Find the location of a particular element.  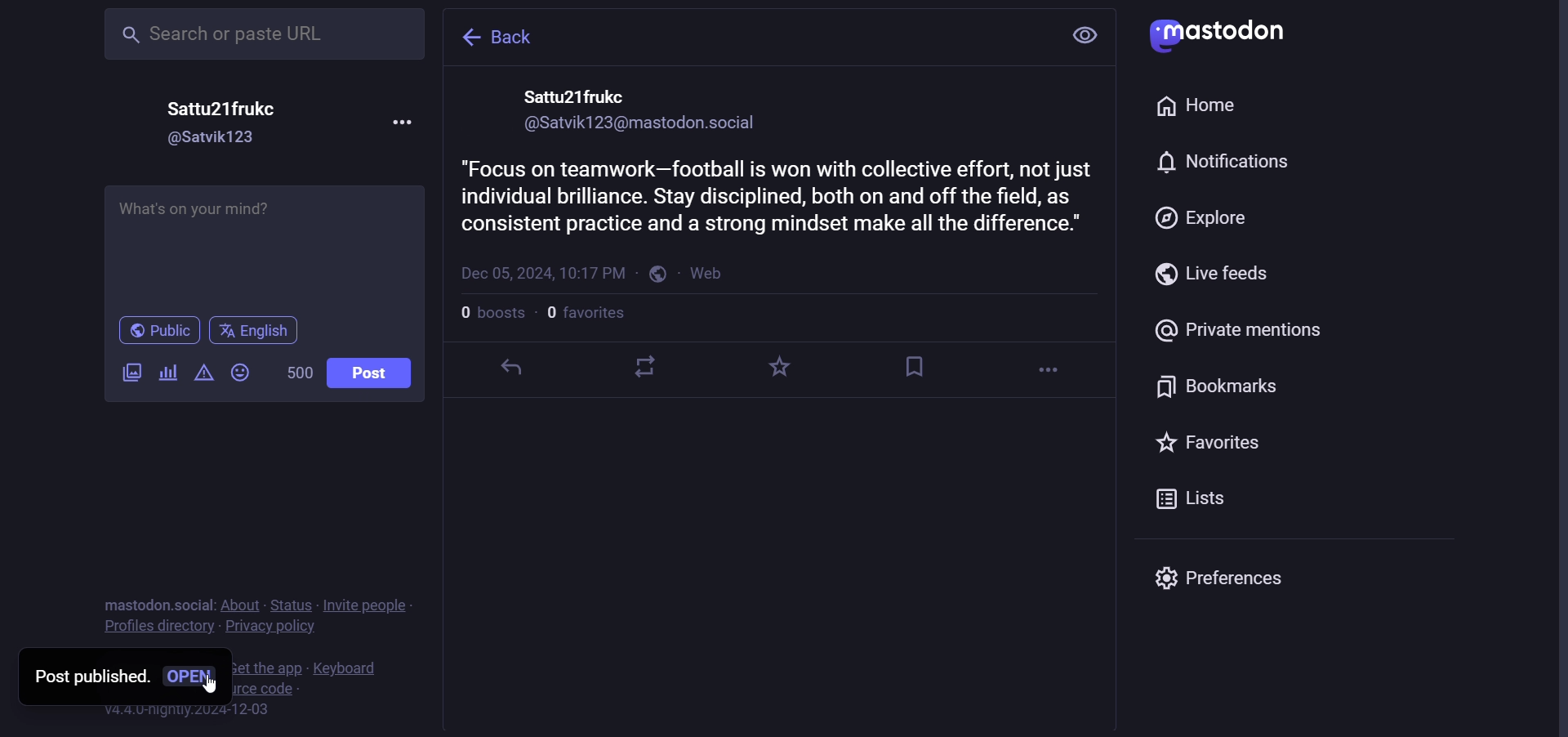

name is located at coordinates (581, 97).